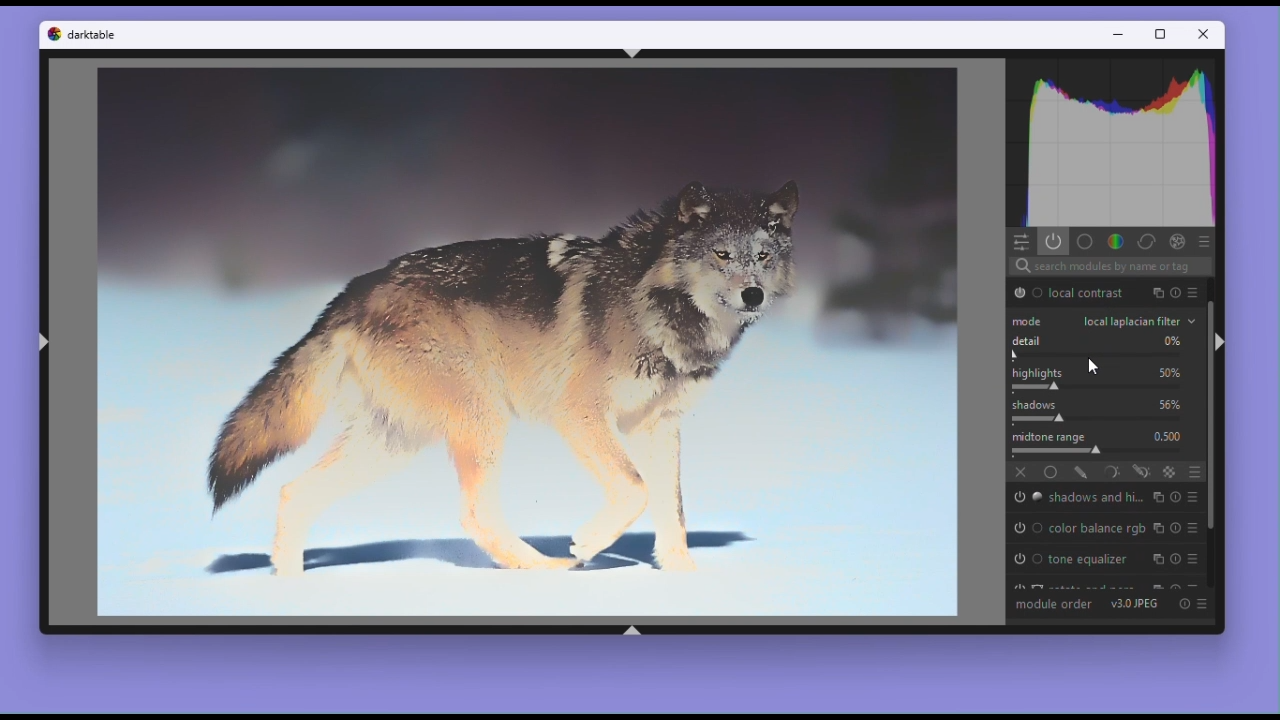  What do you see at coordinates (1207, 242) in the screenshot?
I see `presets` at bounding box center [1207, 242].